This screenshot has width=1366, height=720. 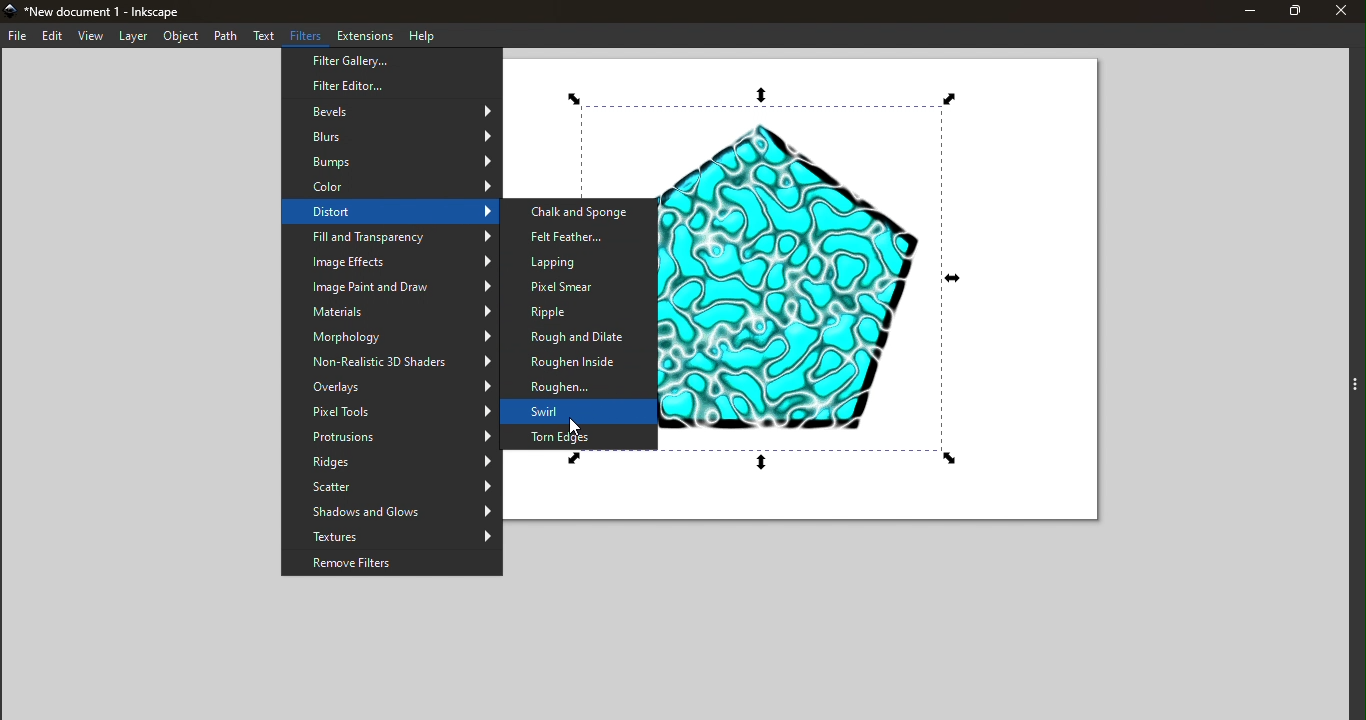 I want to click on Object, so click(x=179, y=36).